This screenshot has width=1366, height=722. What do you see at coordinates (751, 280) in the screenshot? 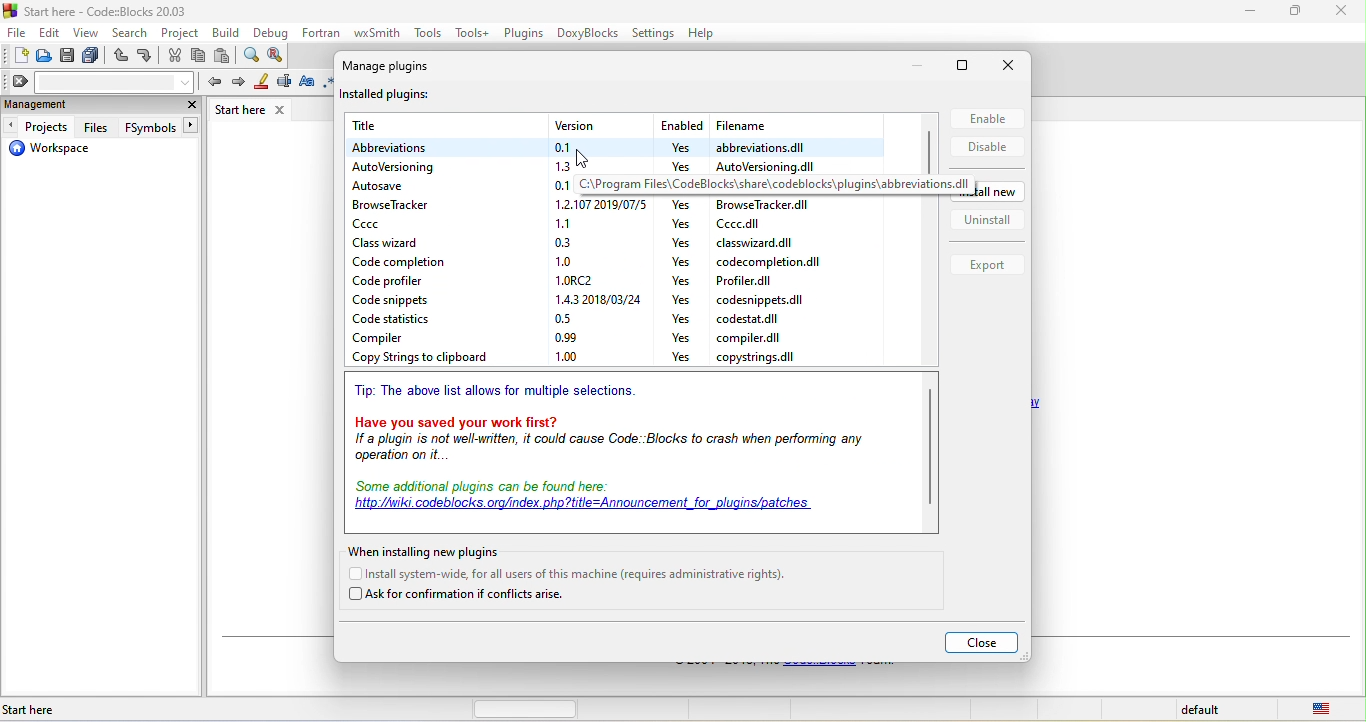
I see `file` at bounding box center [751, 280].